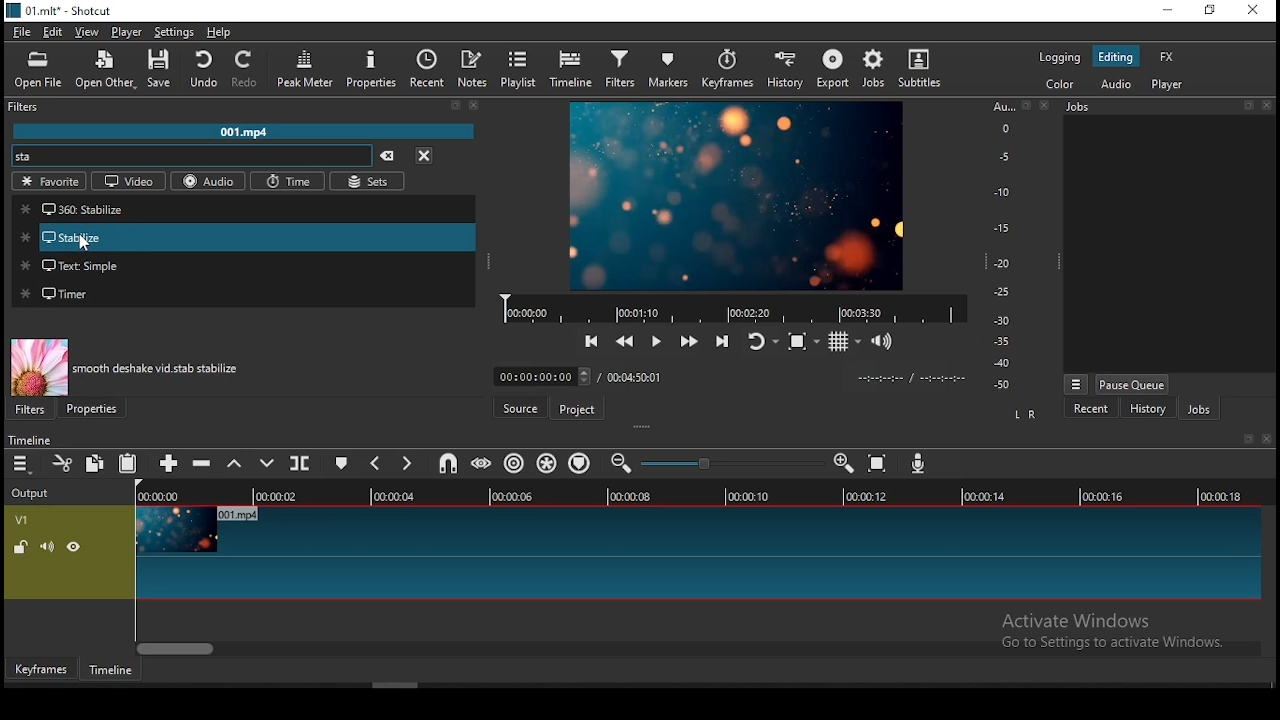  Describe the element at coordinates (635, 552) in the screenshot. I see `video track` at that location.